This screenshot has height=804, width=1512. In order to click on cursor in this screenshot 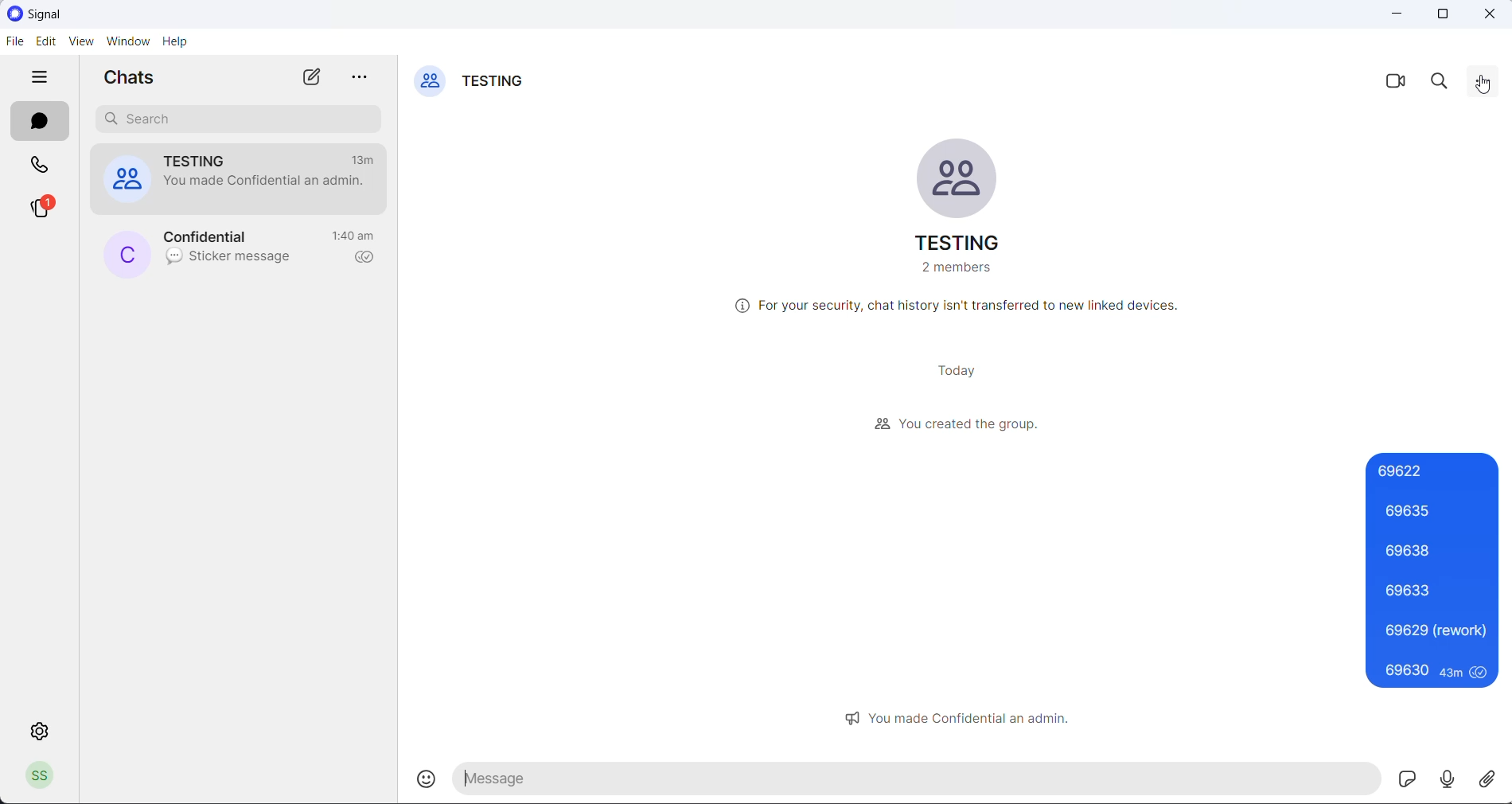, I will do `click(1484, 84)`.